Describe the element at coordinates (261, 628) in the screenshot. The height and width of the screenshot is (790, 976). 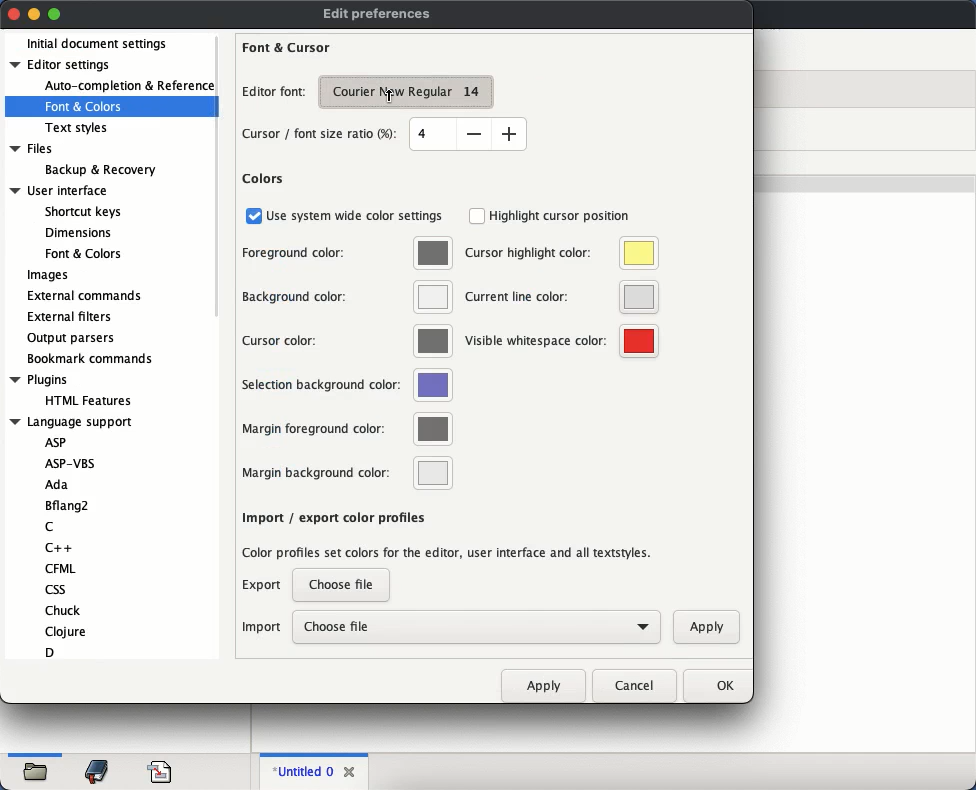
I see `import` at that location.